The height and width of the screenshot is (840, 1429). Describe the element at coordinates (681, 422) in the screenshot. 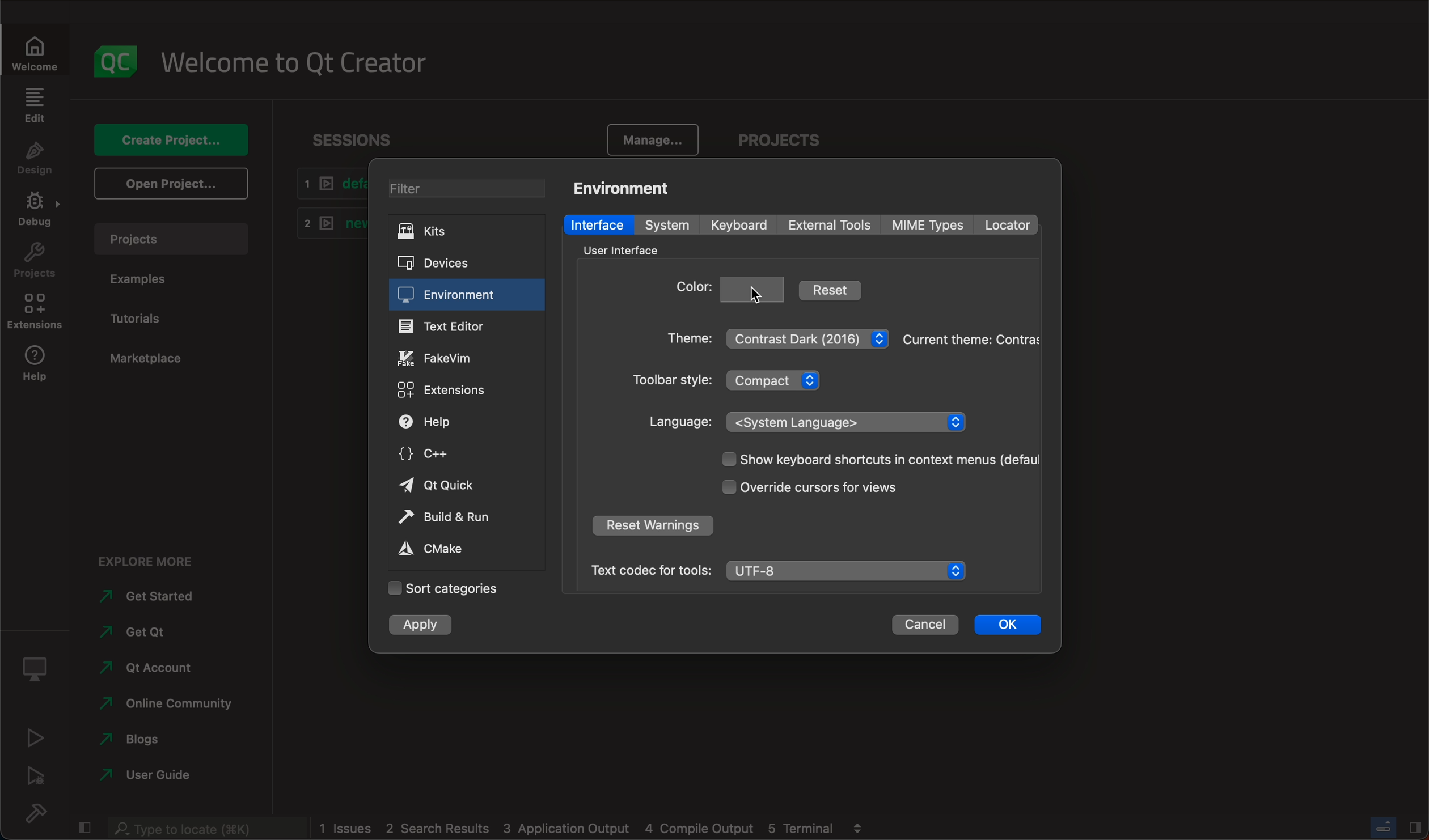

I see `language` at that location.